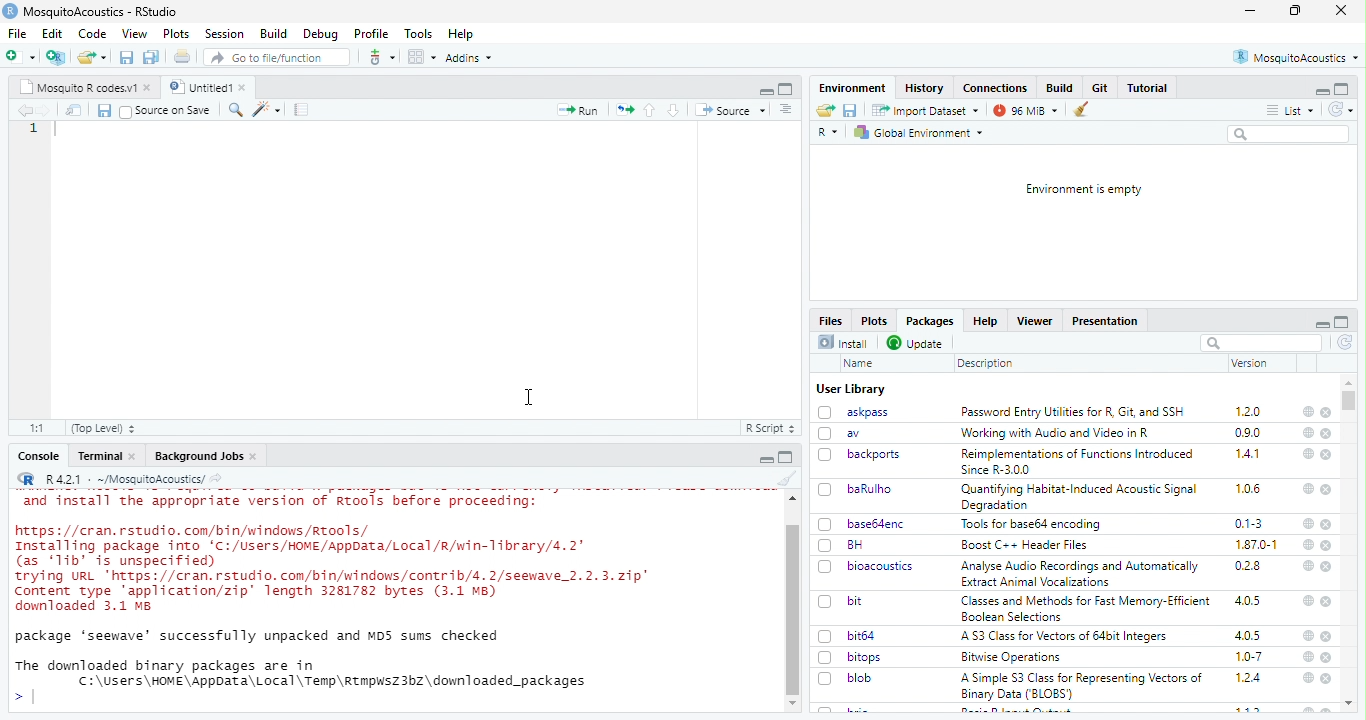 The width and height of the screenshot is (1366, 720). What do you see at coordinates (1081, 498) in the screenshot?
I see `Quantifying Habitat-Induced Acoustic Signal
Degradation` at bounding box center [1081, 498].